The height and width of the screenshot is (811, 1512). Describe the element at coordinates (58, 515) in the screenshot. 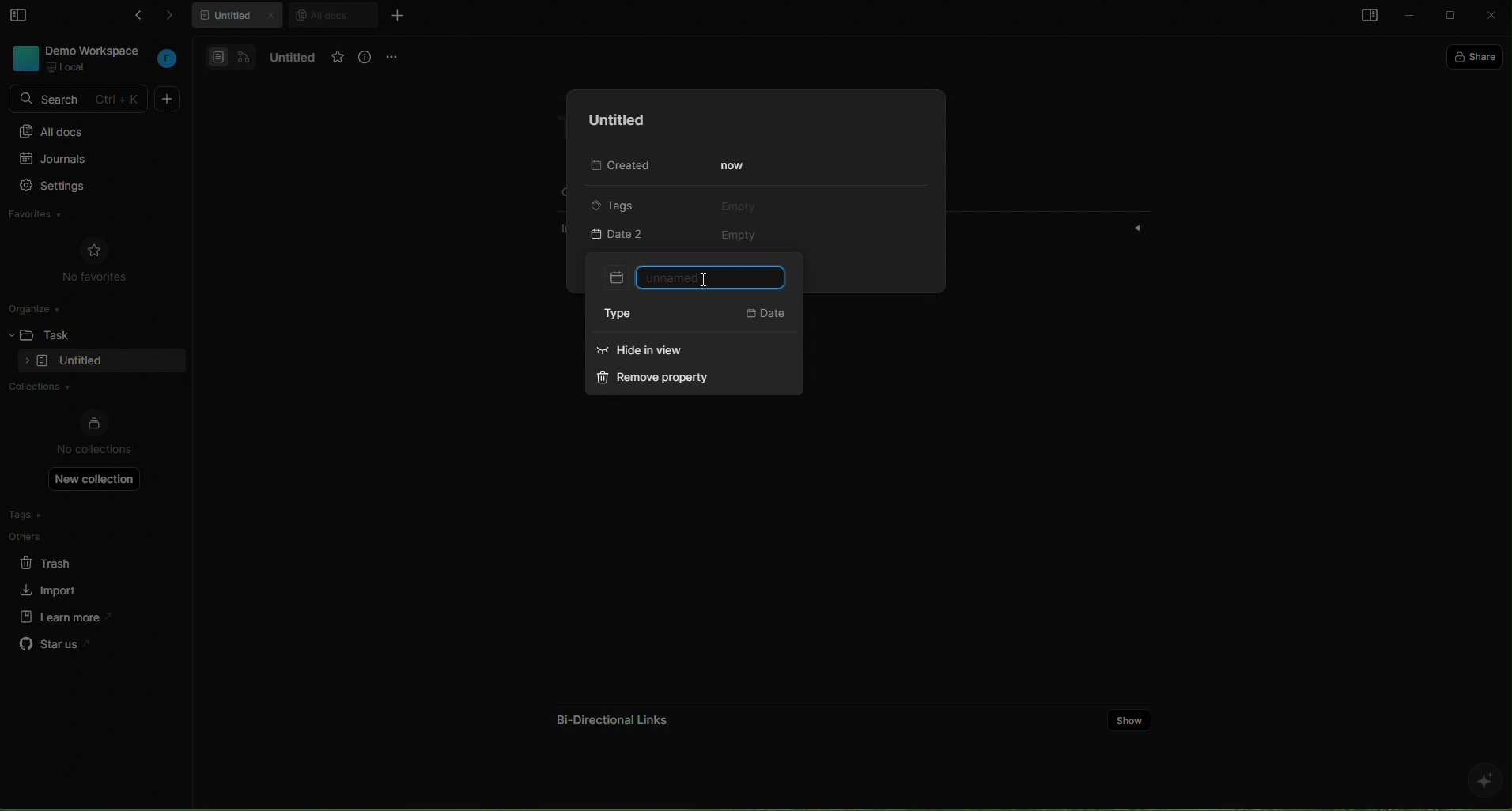

I see `tags` at that location.